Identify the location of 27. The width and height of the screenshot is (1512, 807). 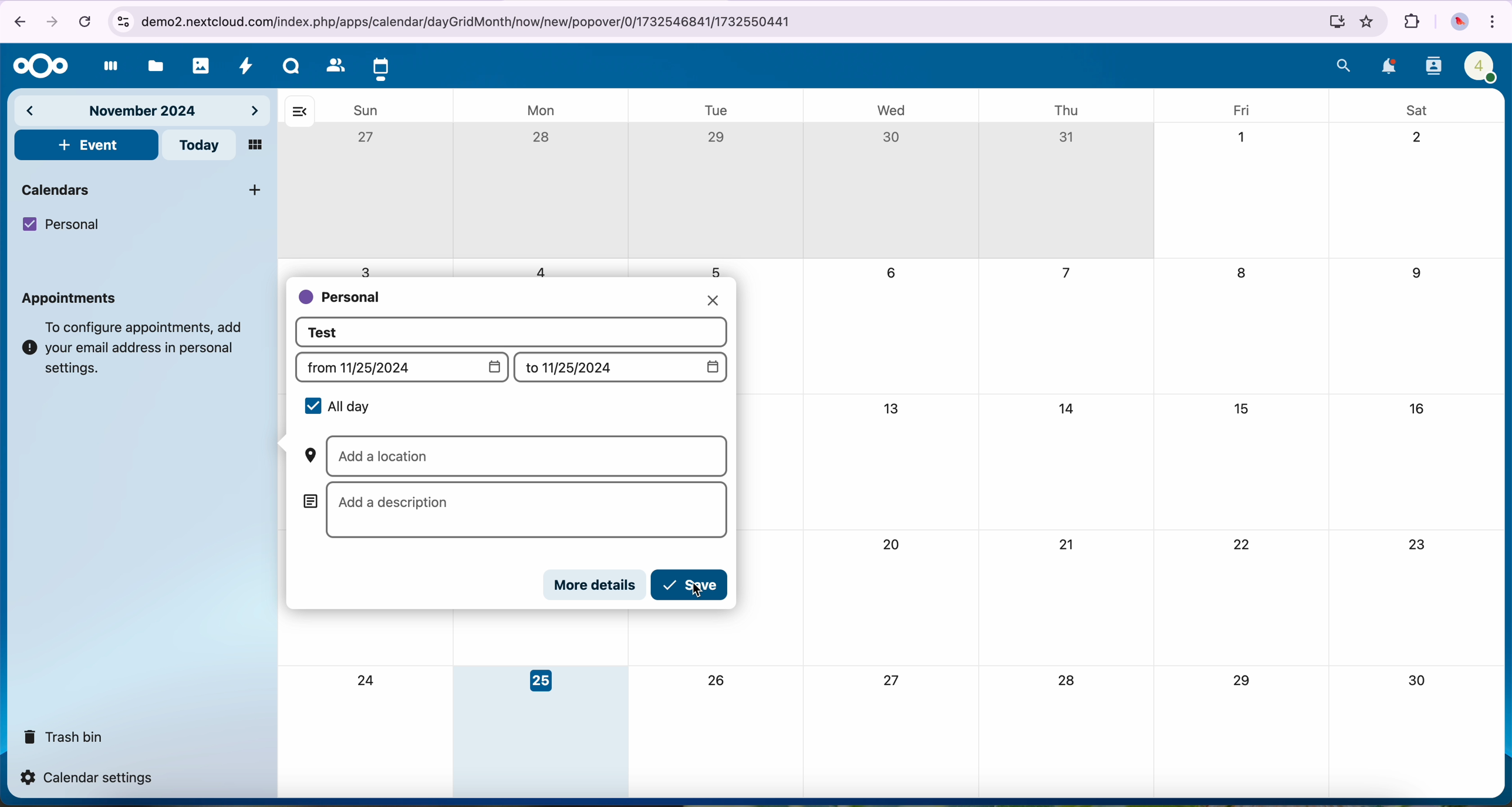
(894, 680).